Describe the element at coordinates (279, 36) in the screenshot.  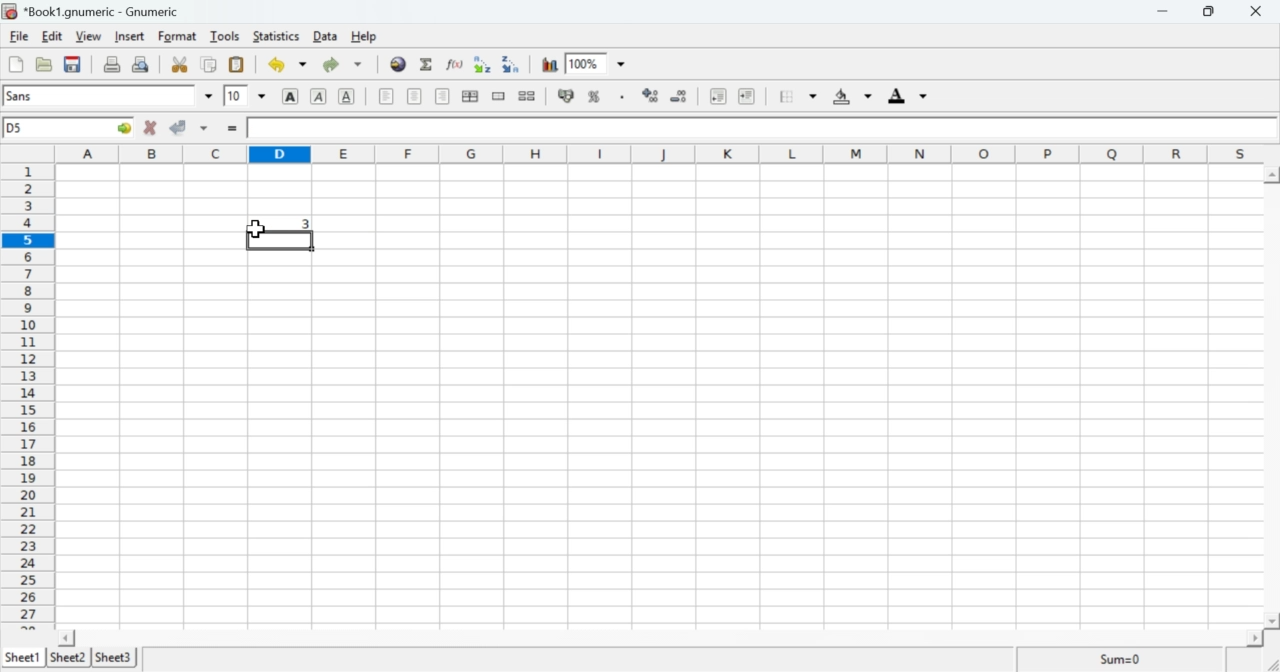
I see `Statistics` at that location.